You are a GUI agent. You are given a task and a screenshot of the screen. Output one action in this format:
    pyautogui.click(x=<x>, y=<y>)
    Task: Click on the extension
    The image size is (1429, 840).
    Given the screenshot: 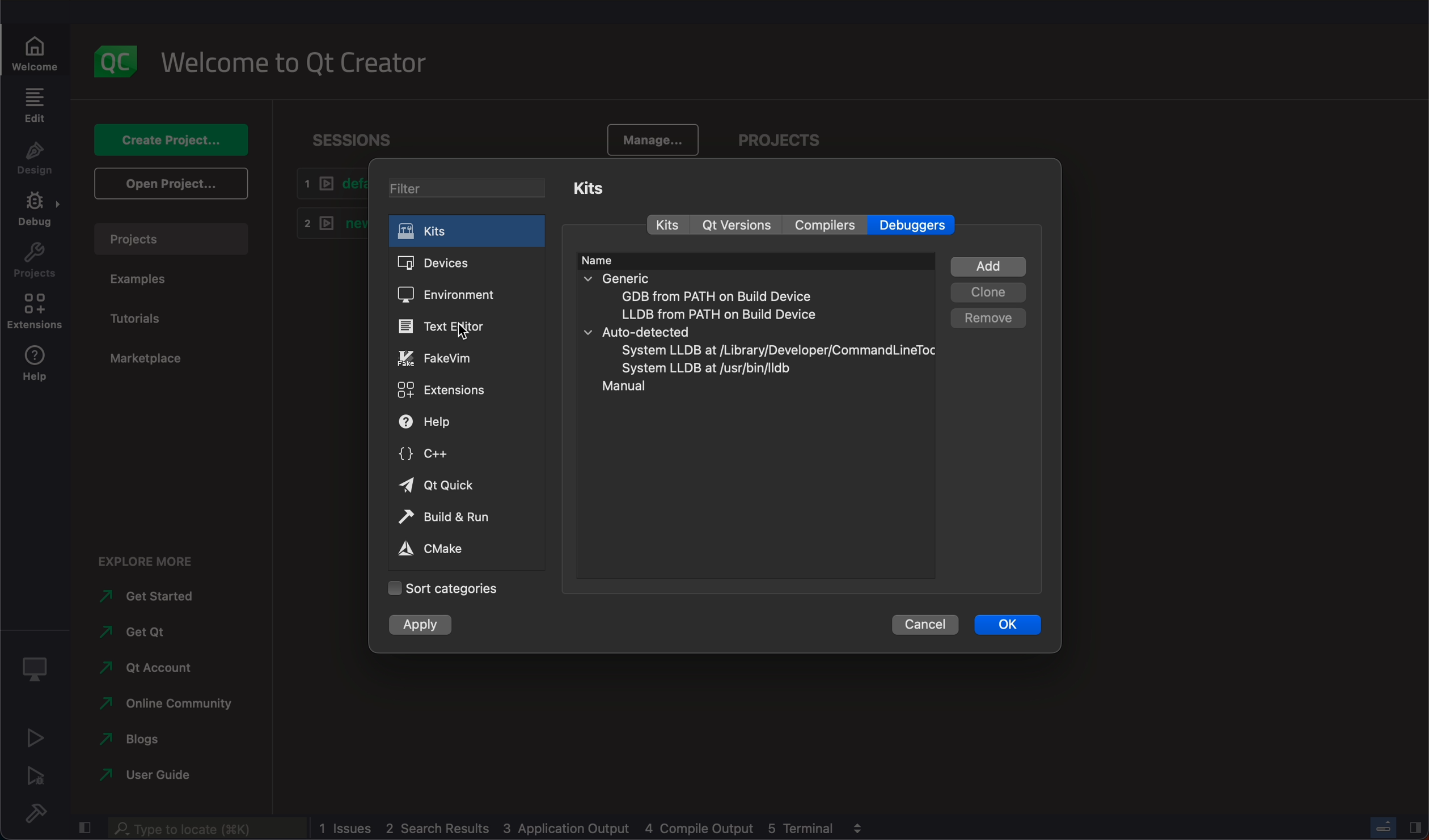 What is the action you would take?
    pyautogui.click(x=34, y=313)
    